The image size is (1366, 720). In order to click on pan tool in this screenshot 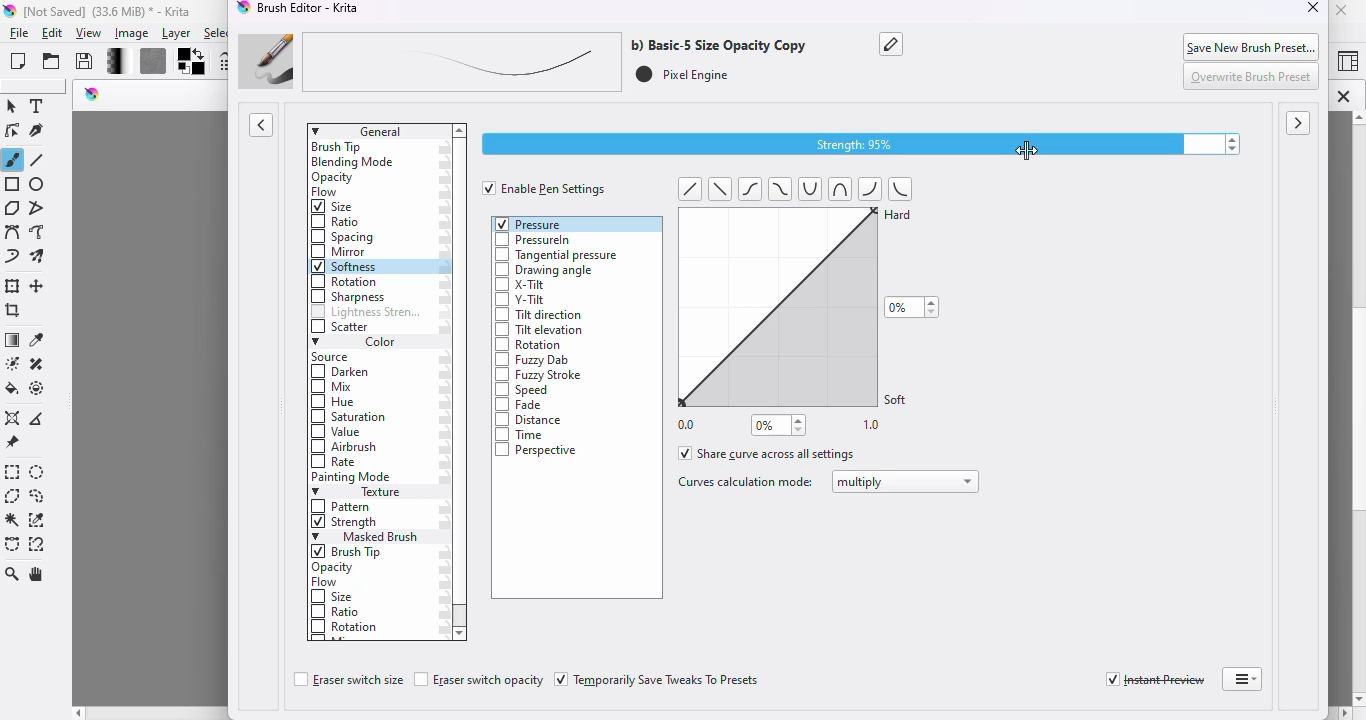, I will do `click(39, 575)`.